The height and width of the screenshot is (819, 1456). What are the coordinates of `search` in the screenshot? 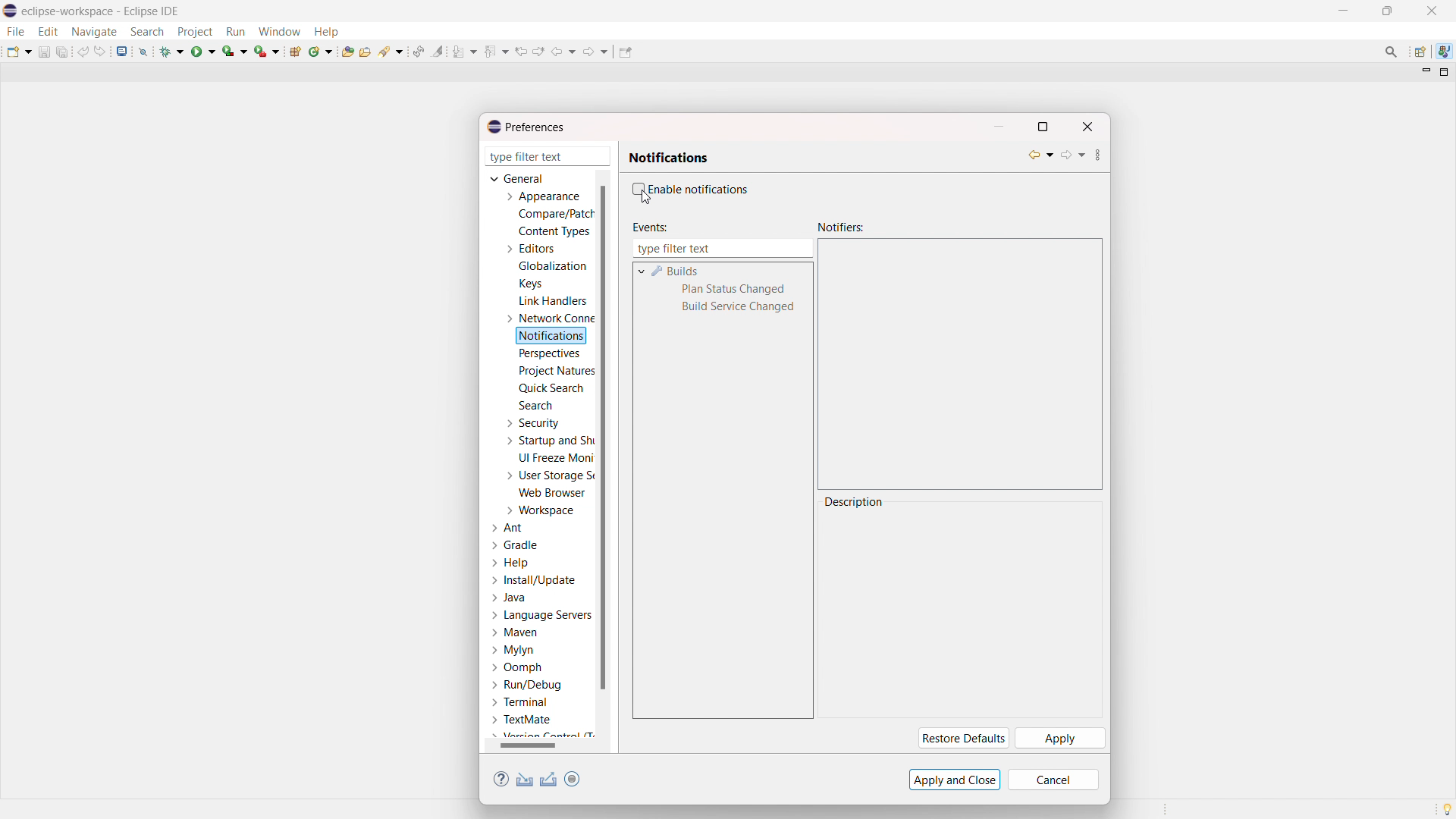 It's located at (392, 50).